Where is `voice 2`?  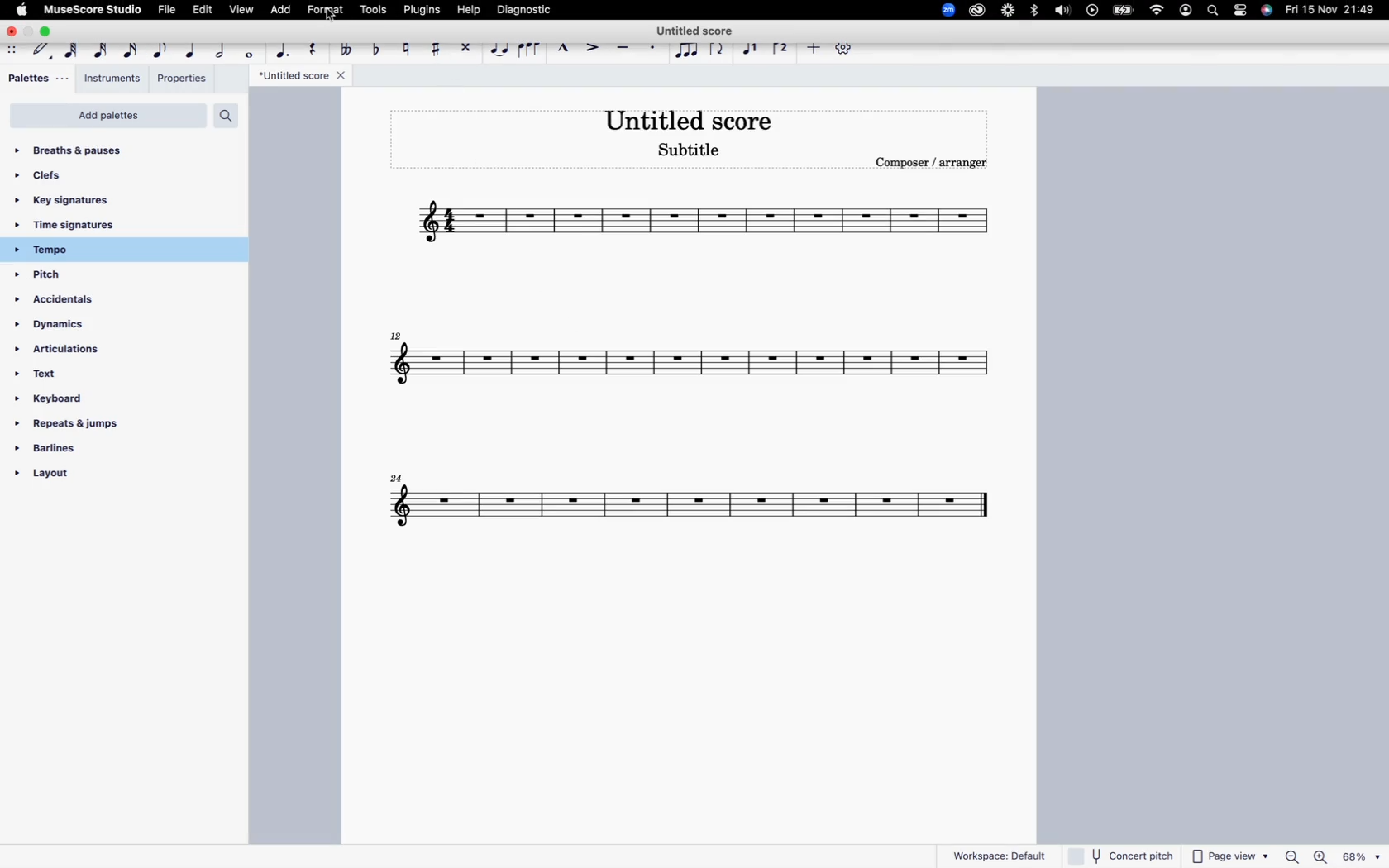
voice 2 is located at coordinates (782, 48).